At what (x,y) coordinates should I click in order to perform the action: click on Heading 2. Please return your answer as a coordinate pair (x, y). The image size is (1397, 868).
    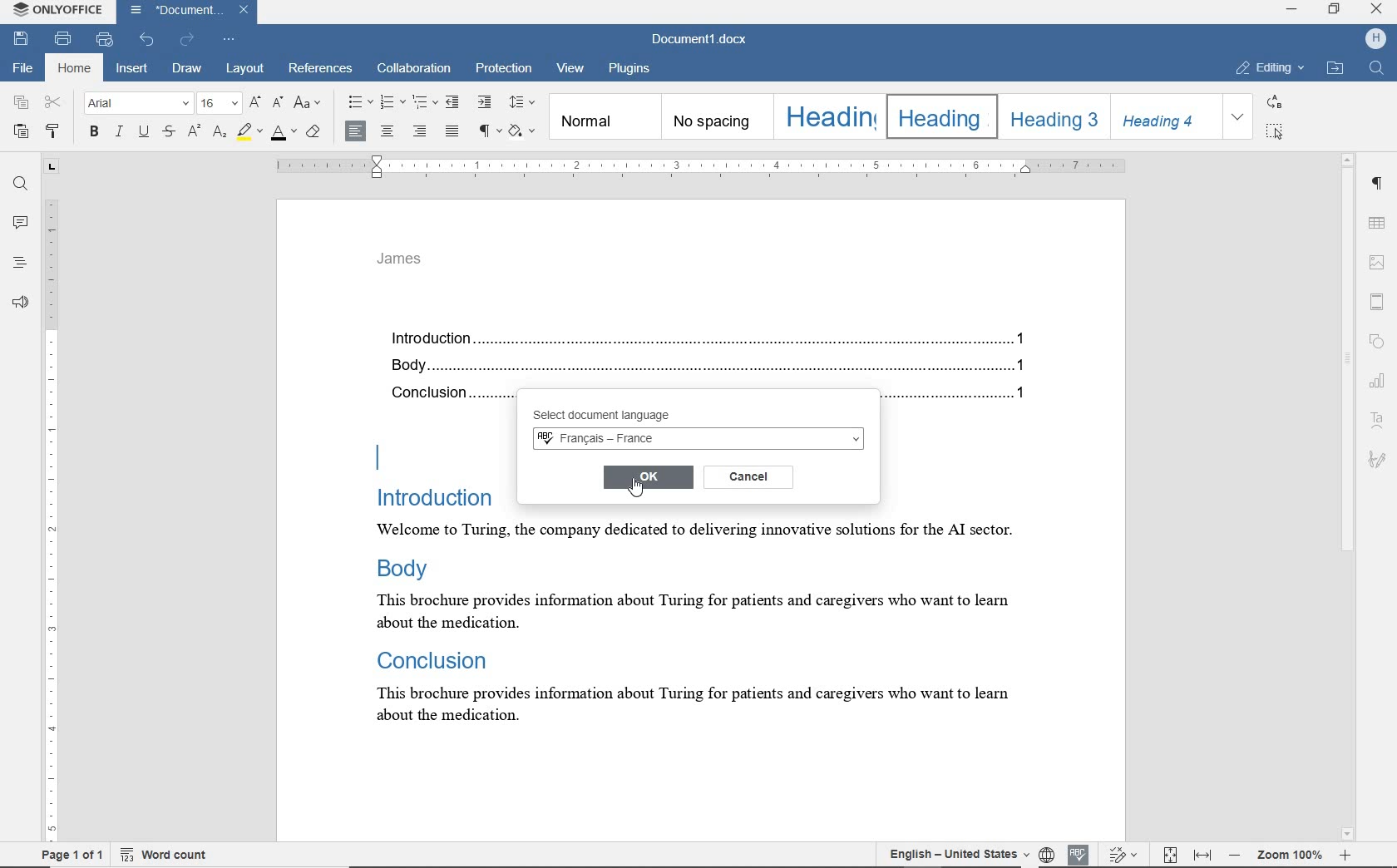
    Looking at the image, I should click on (938, 116).